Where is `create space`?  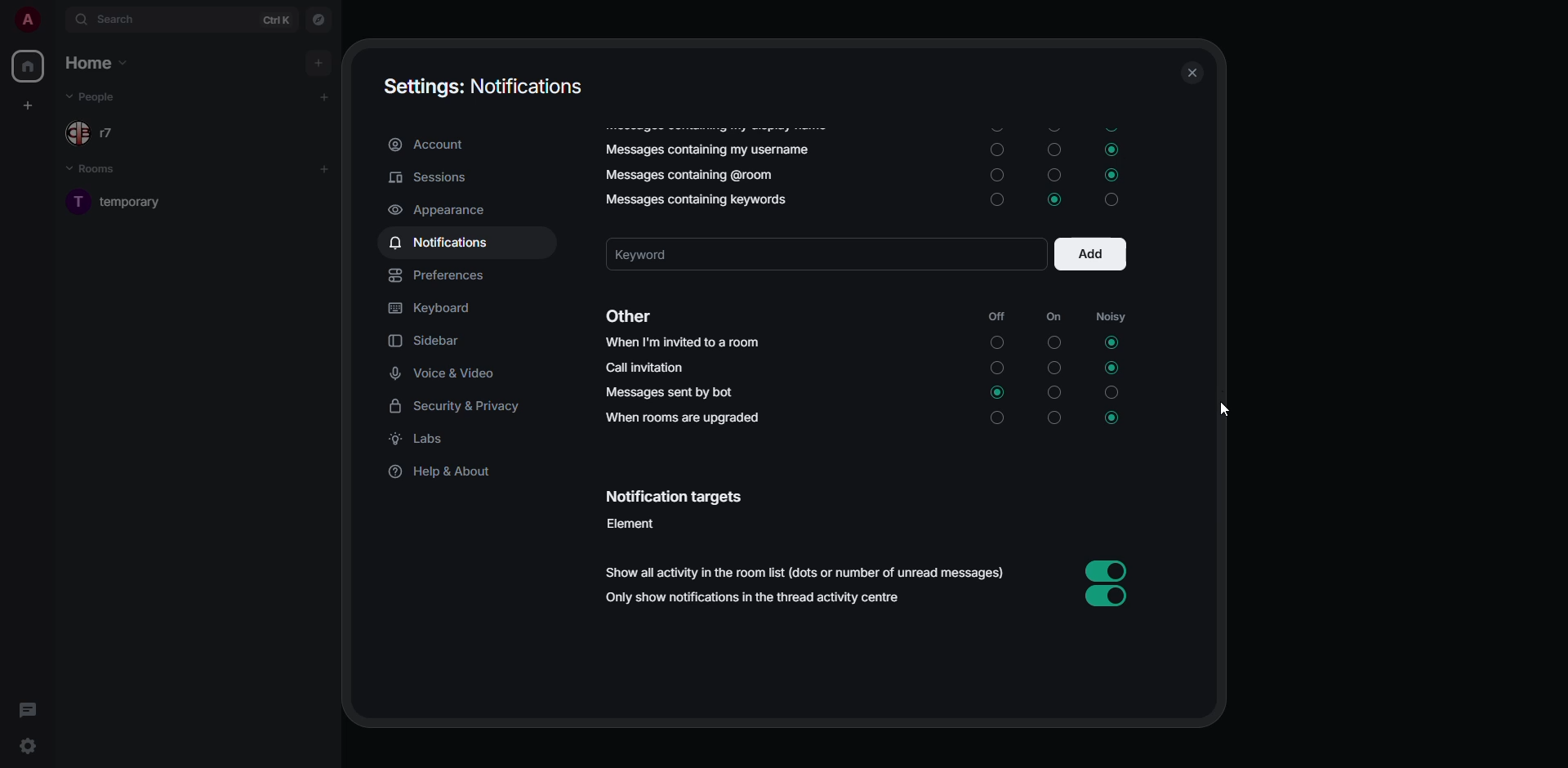
create space is located at coordinates (25, 105).